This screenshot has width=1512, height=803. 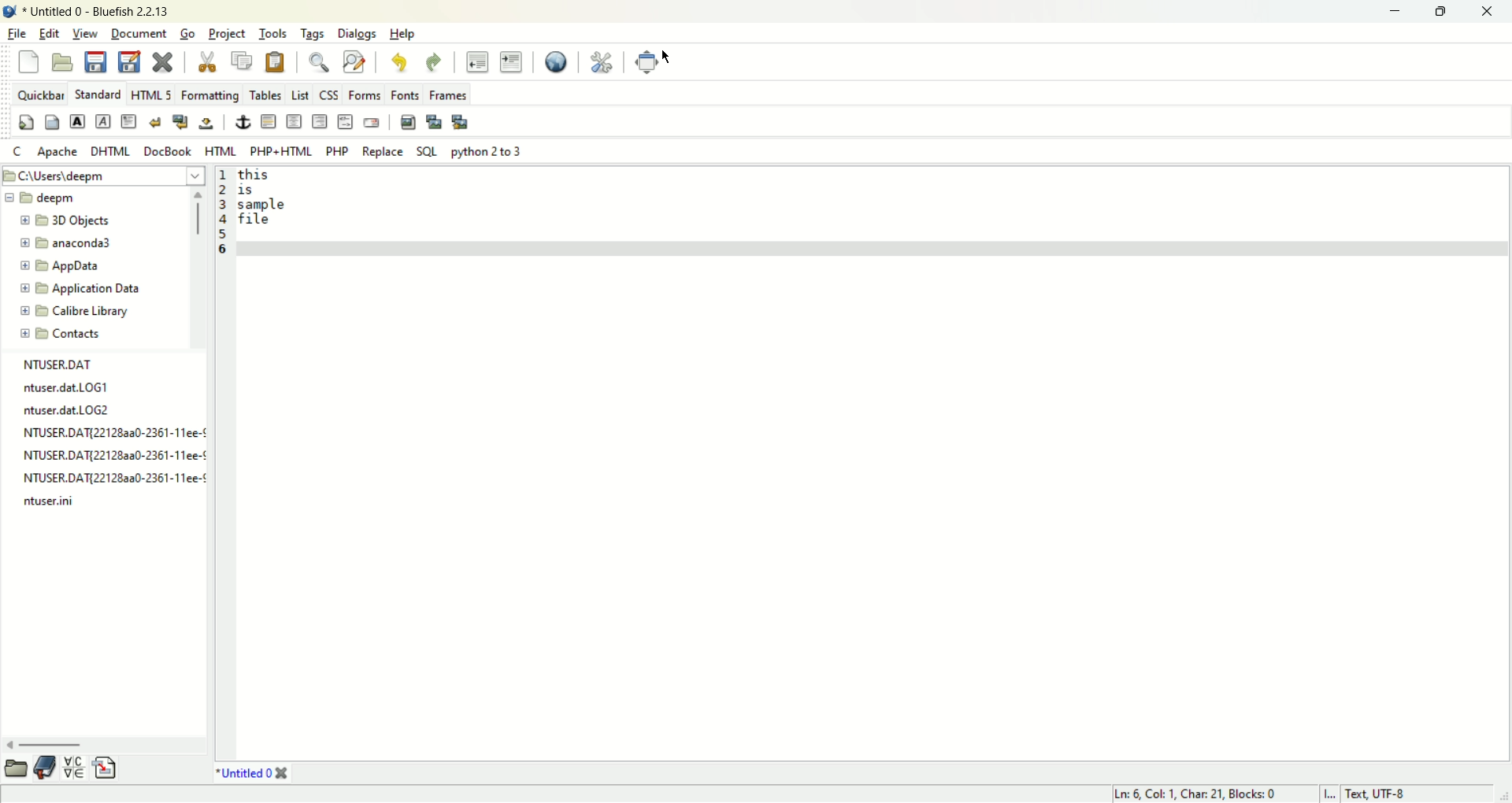 I want to click on right justify, so click(x=320, y=122).